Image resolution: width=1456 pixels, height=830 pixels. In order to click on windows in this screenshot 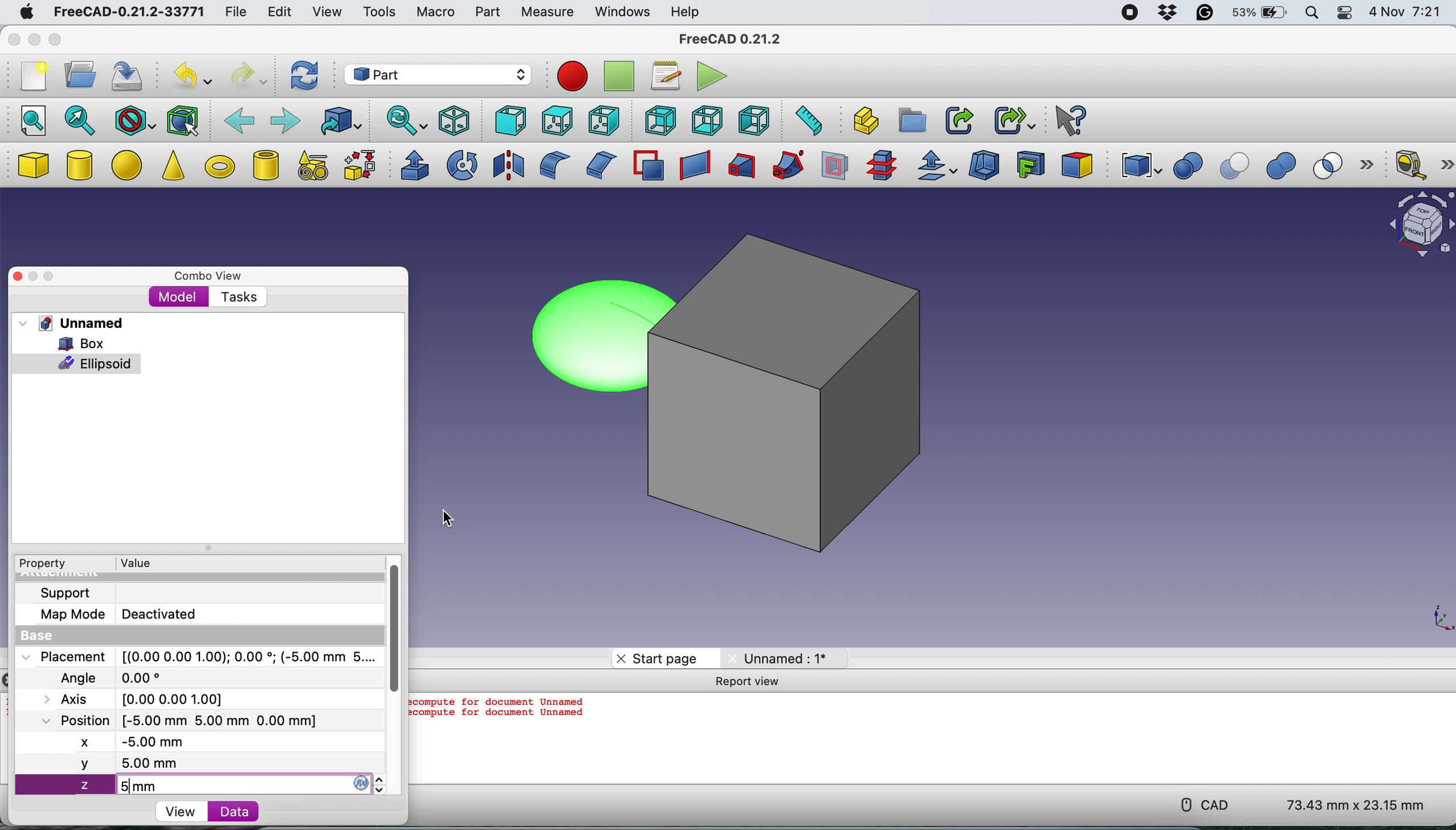, I will do `click(622, 13)`.